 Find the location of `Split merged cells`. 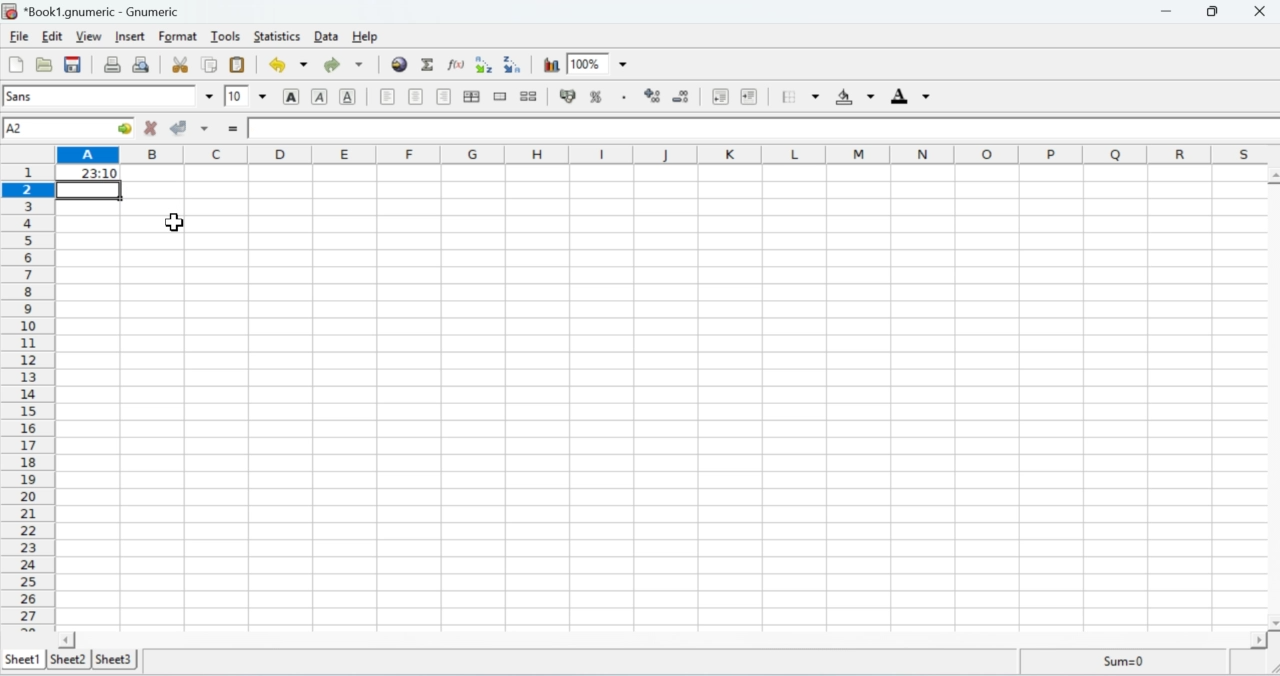

Split merged cells is located at coordinates (530, 97).